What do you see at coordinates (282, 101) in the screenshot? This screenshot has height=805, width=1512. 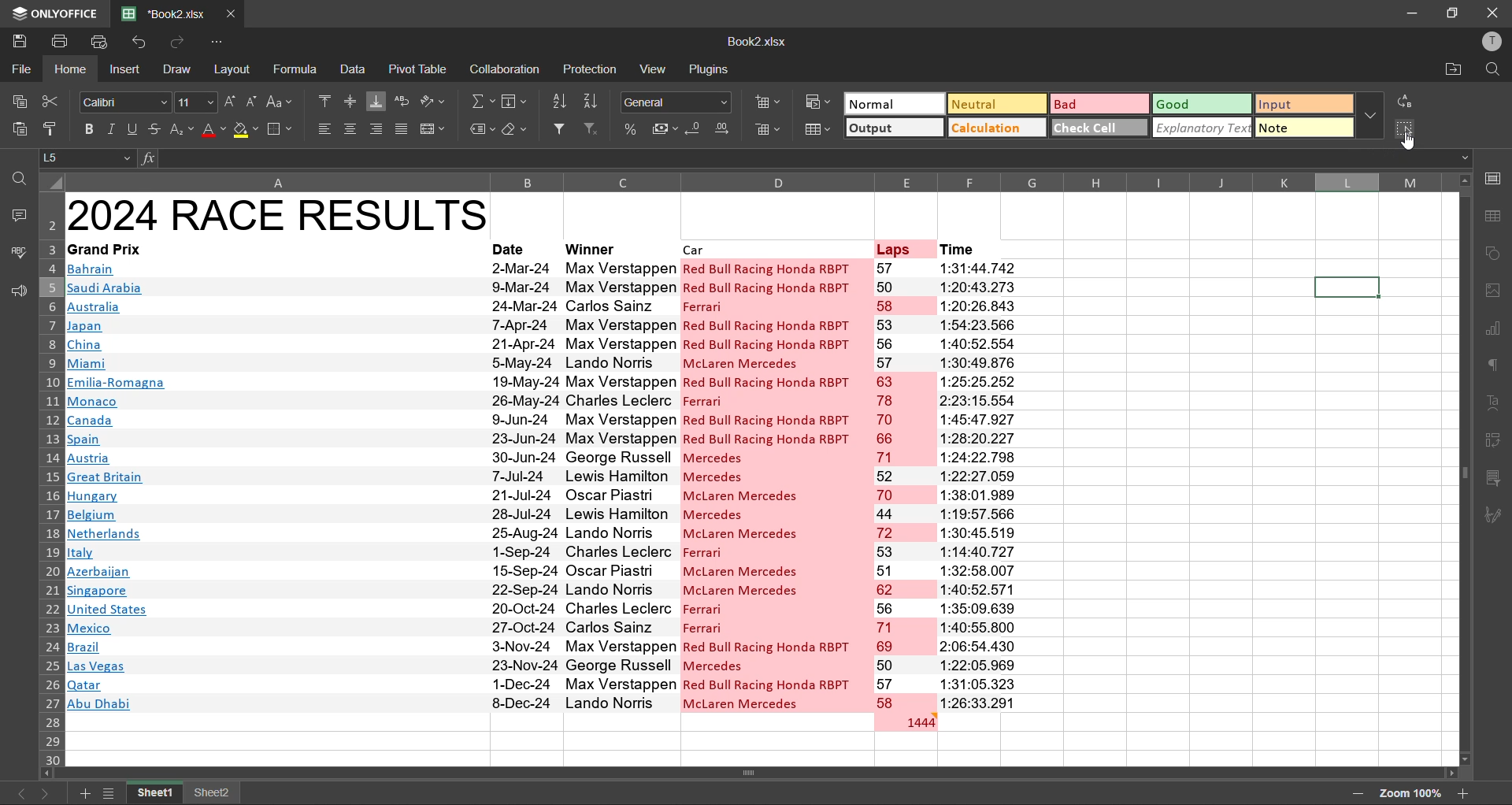 I see `change case` at bounding box center [282, 101].